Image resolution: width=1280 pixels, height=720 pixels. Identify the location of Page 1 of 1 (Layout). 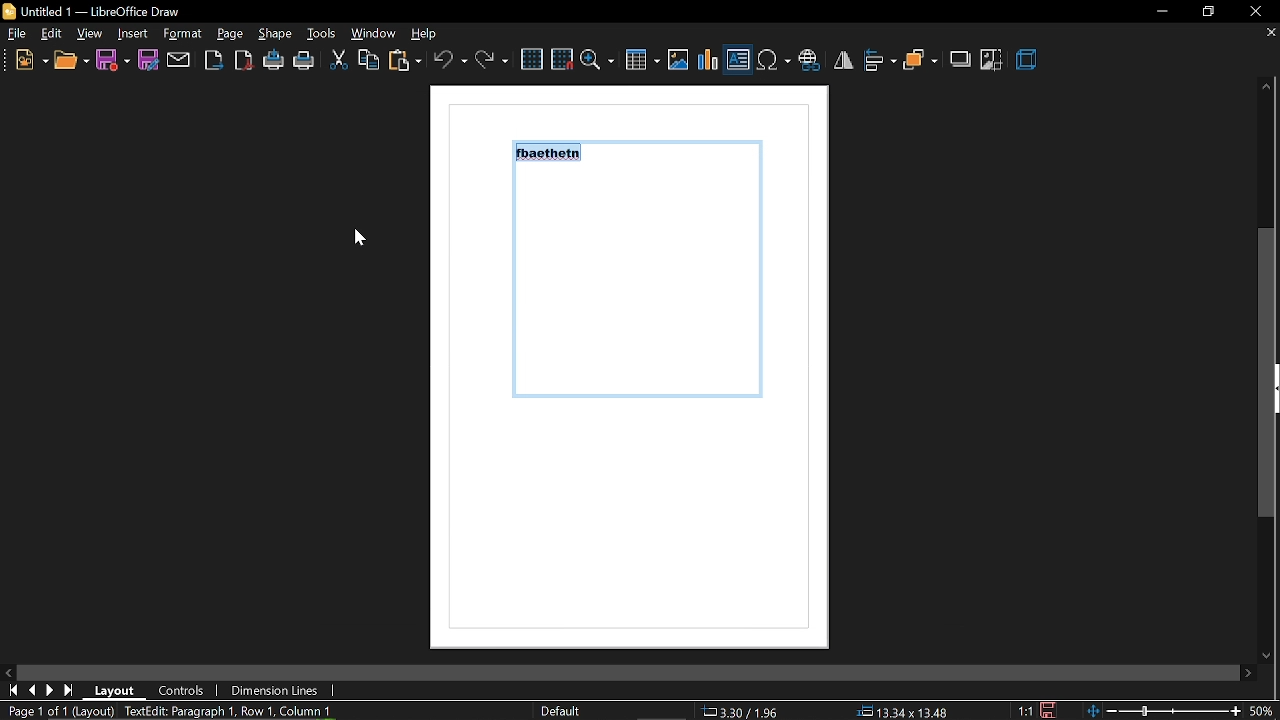
(57, 711).